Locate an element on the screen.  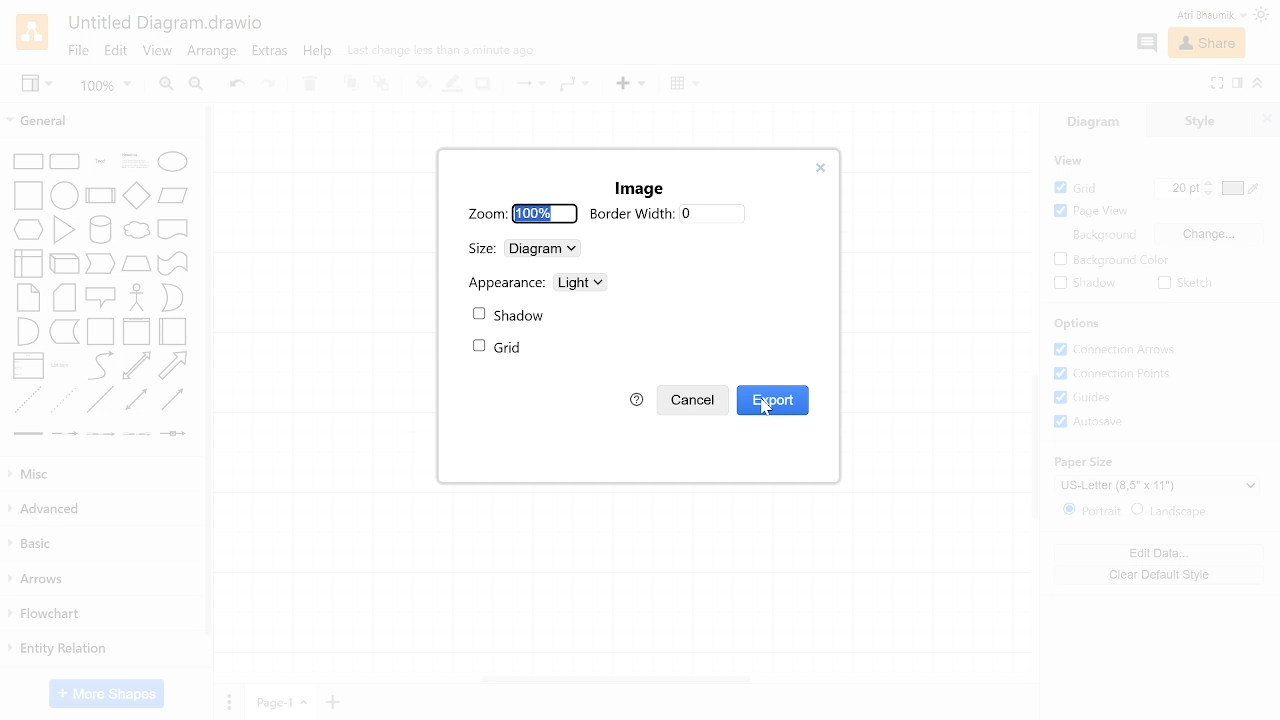
Arrows is located at coordinates (45, 579).